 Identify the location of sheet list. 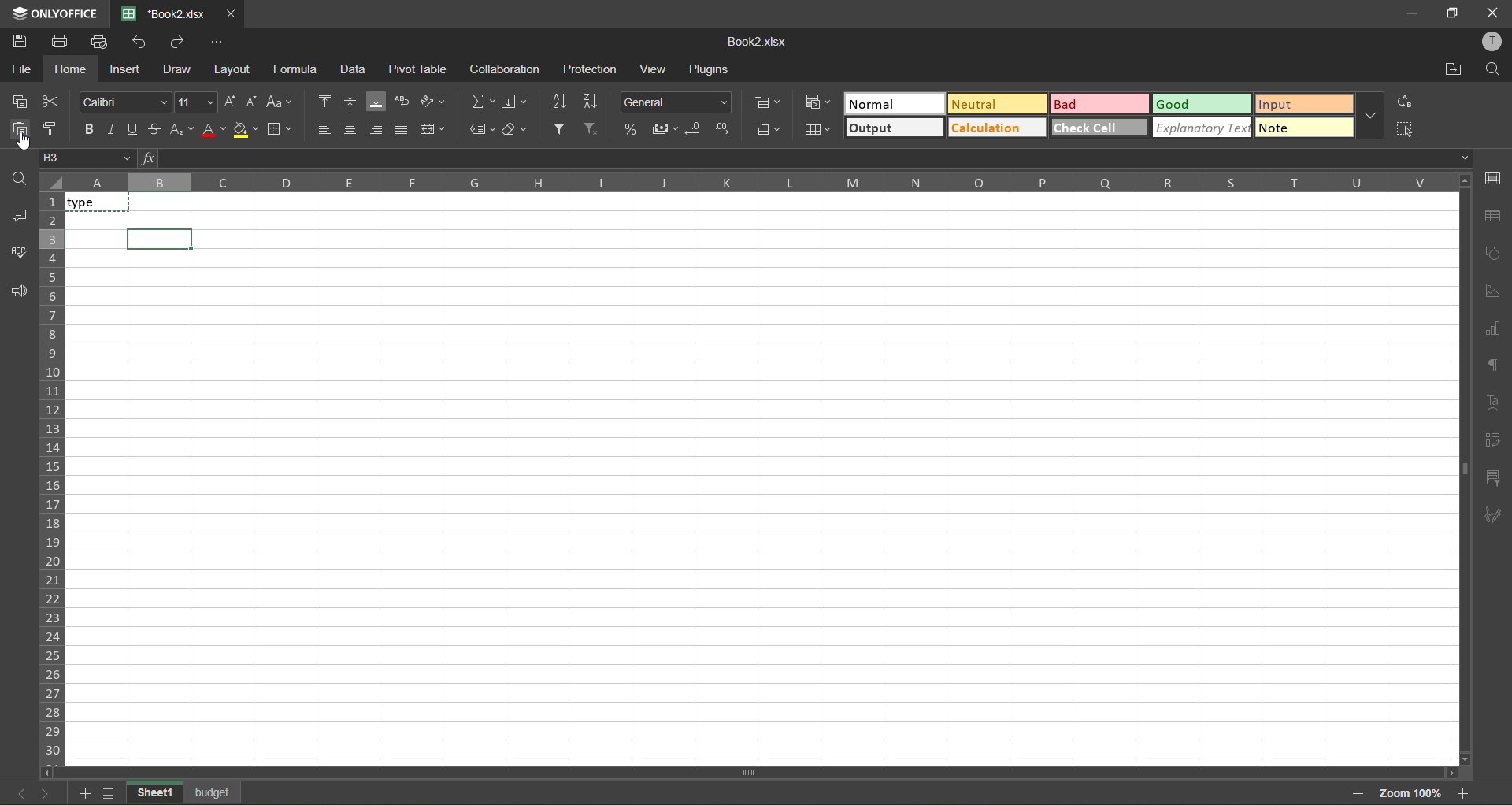
(109, 792).